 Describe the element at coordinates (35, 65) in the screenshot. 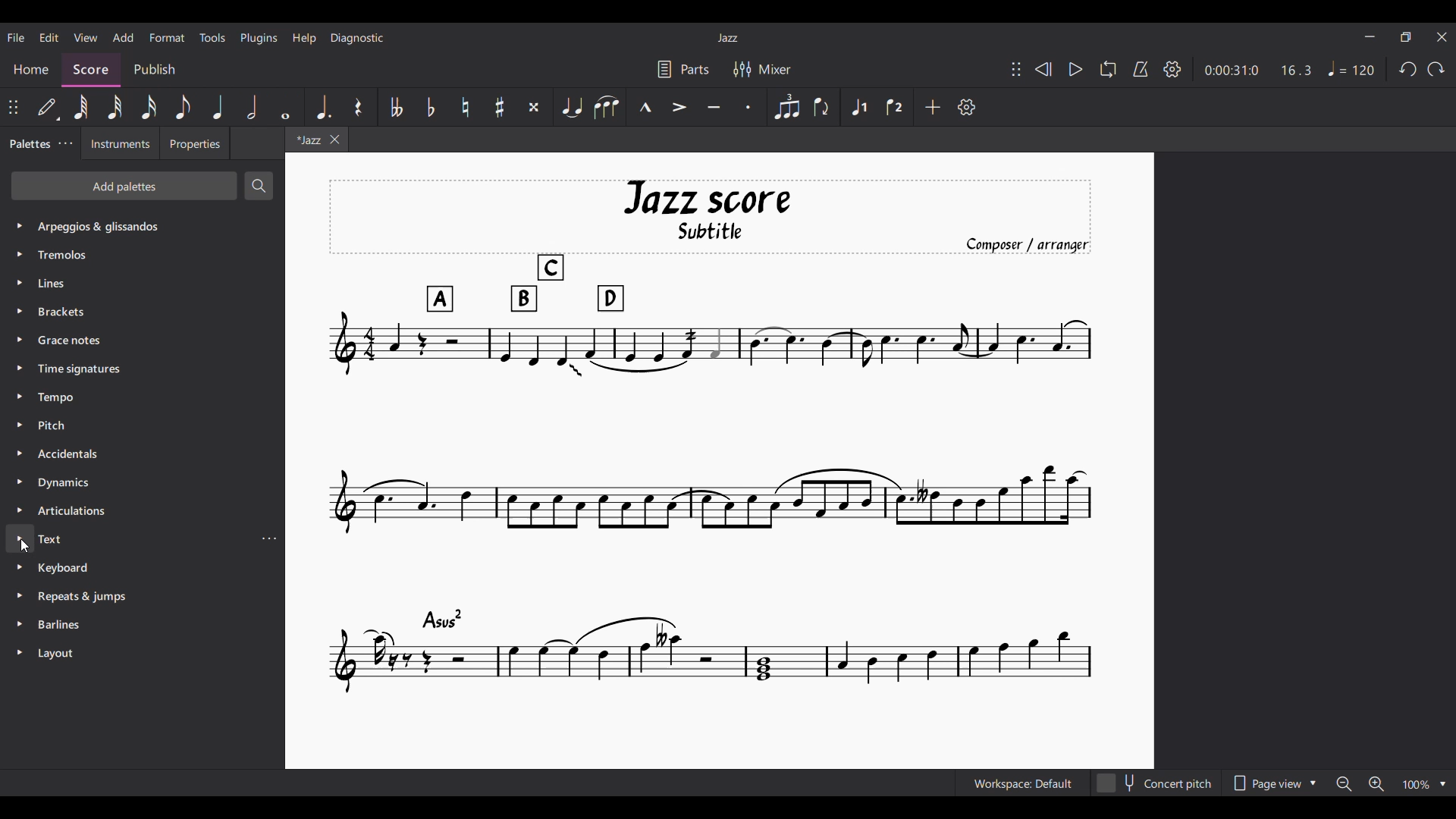

I see `Home section` at that location.